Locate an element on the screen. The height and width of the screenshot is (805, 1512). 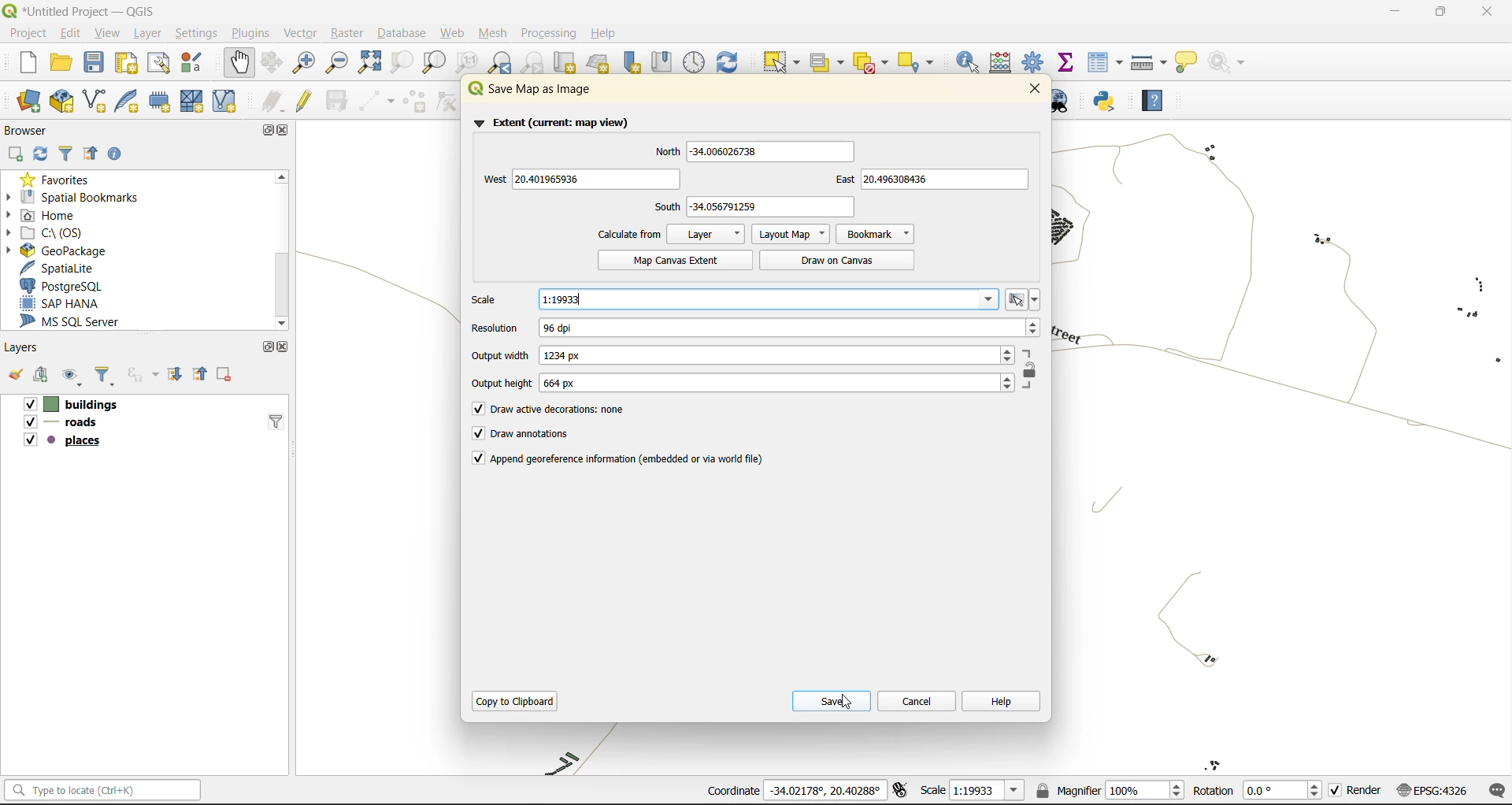
show layout is located at coordinates (157, 61).